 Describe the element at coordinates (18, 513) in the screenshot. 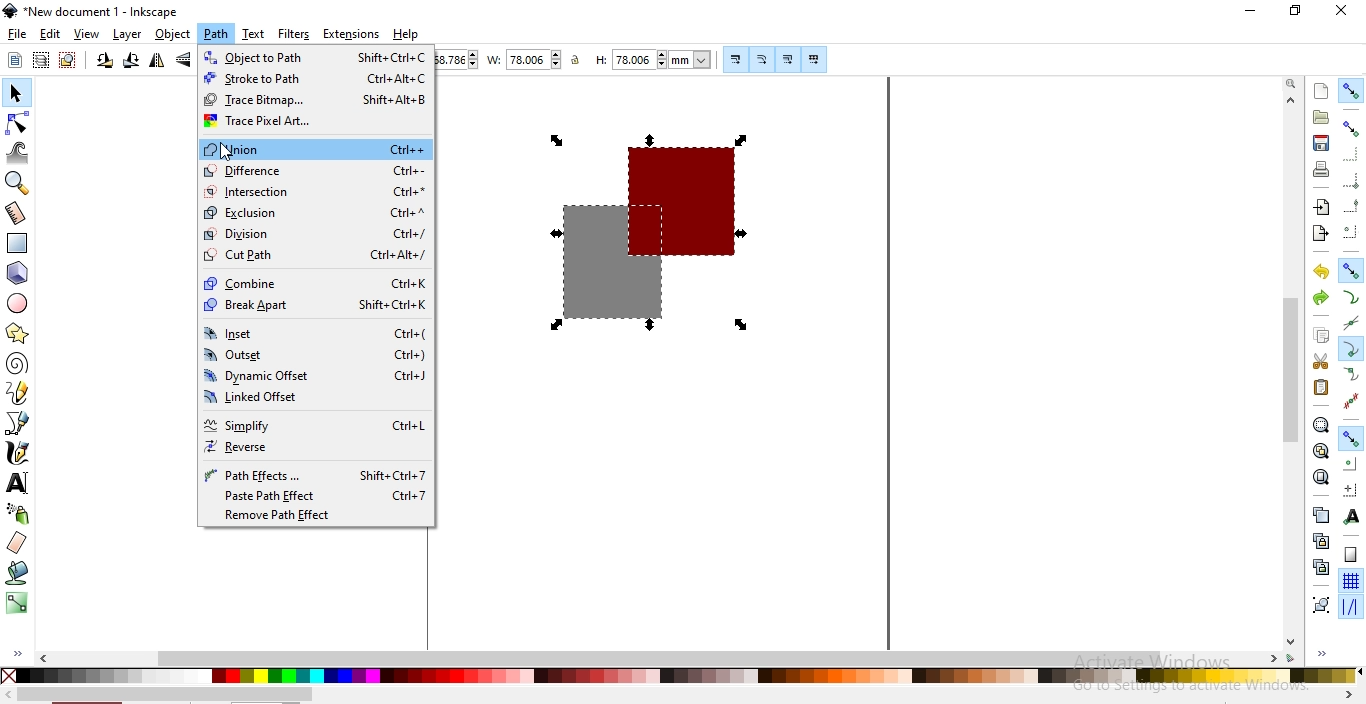

I see `spray objects by sculpting or painting` at that location.